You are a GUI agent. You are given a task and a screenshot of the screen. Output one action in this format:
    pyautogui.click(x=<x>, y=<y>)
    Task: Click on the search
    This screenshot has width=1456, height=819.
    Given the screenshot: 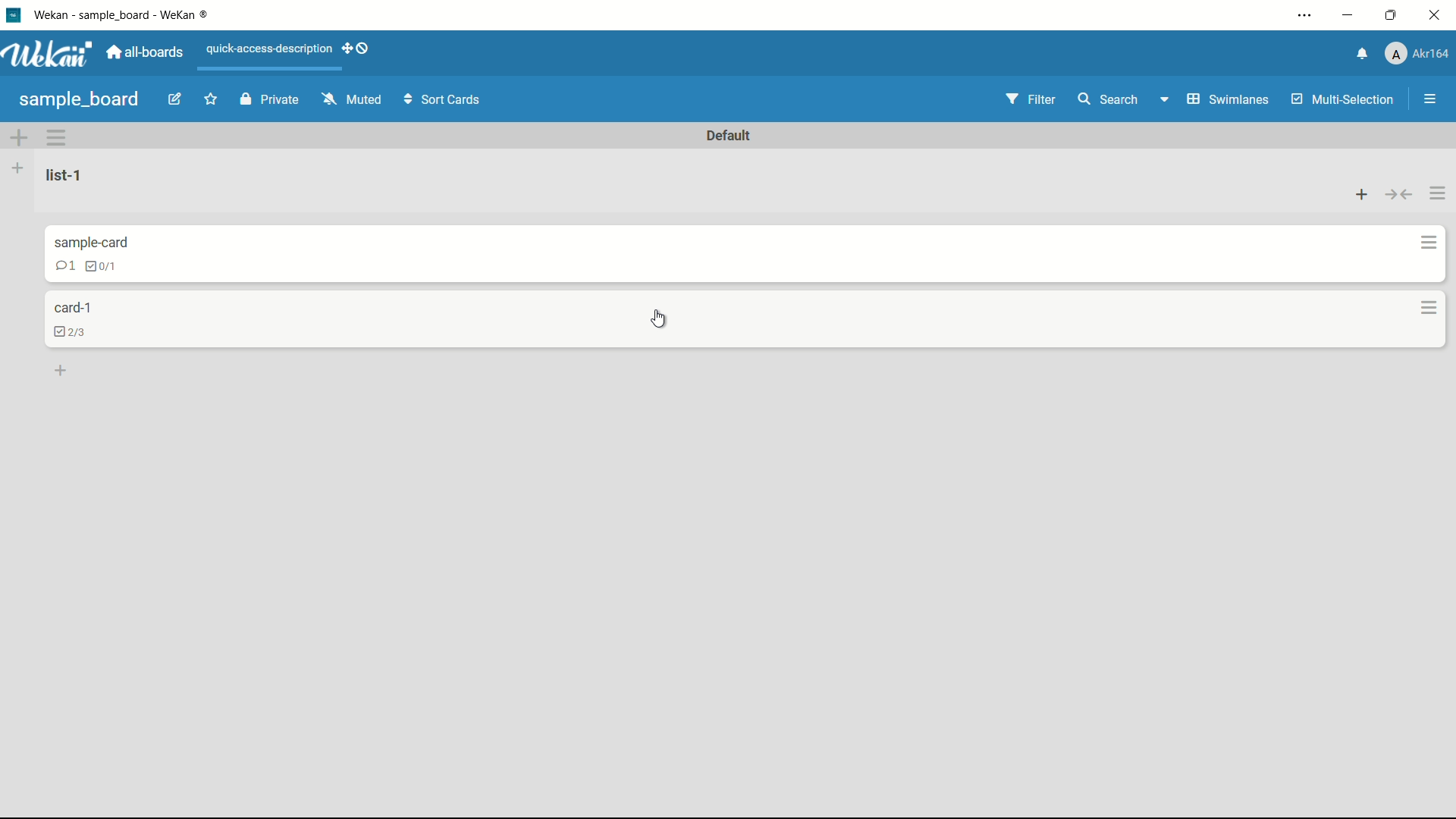 What is the action you would take?
    pyautogui.click(x=1112, y=101)
    